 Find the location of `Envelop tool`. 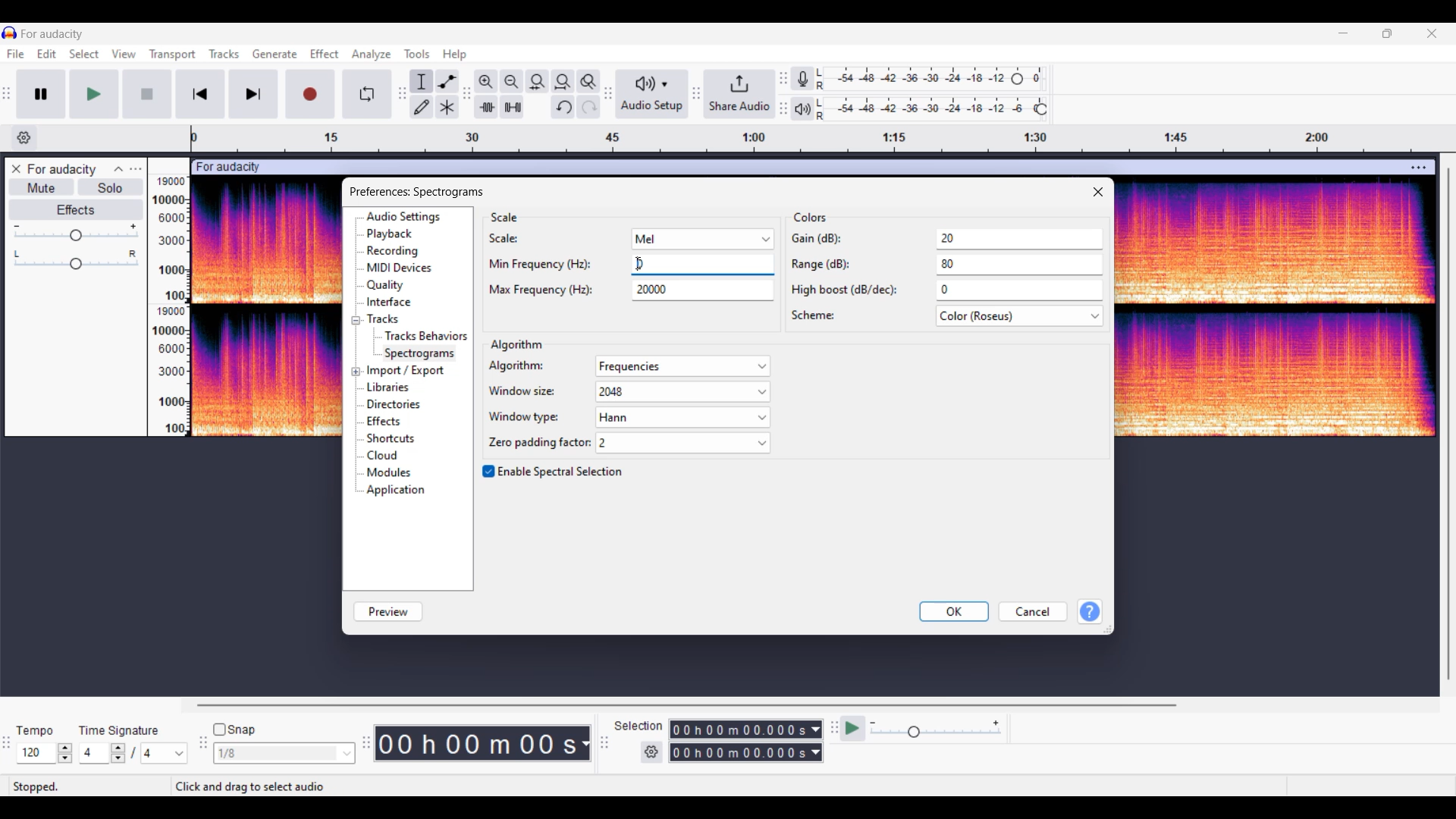

Envelop tool is located at coordinates (447, 82).